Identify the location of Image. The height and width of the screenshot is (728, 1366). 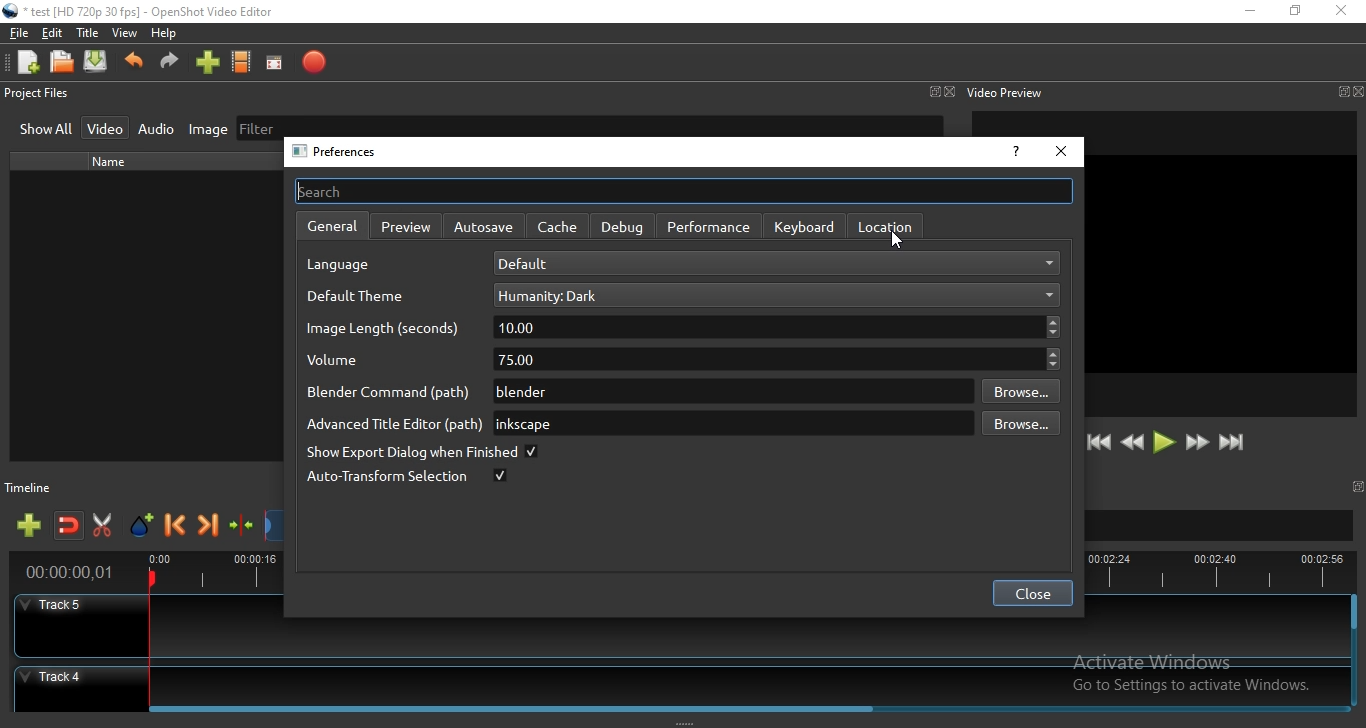
(203, 130).